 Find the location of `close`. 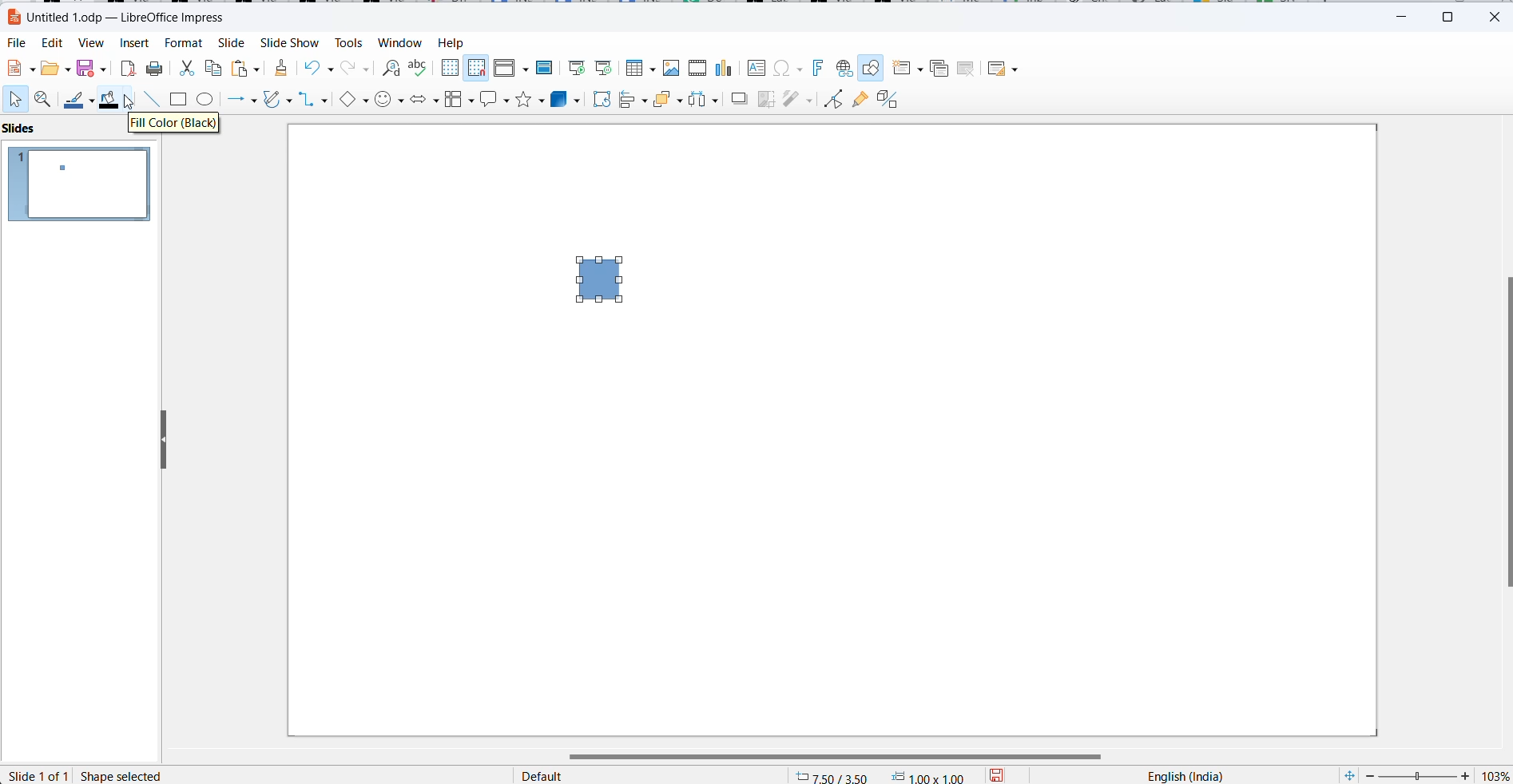

close is located at coordinates (1495, 16).